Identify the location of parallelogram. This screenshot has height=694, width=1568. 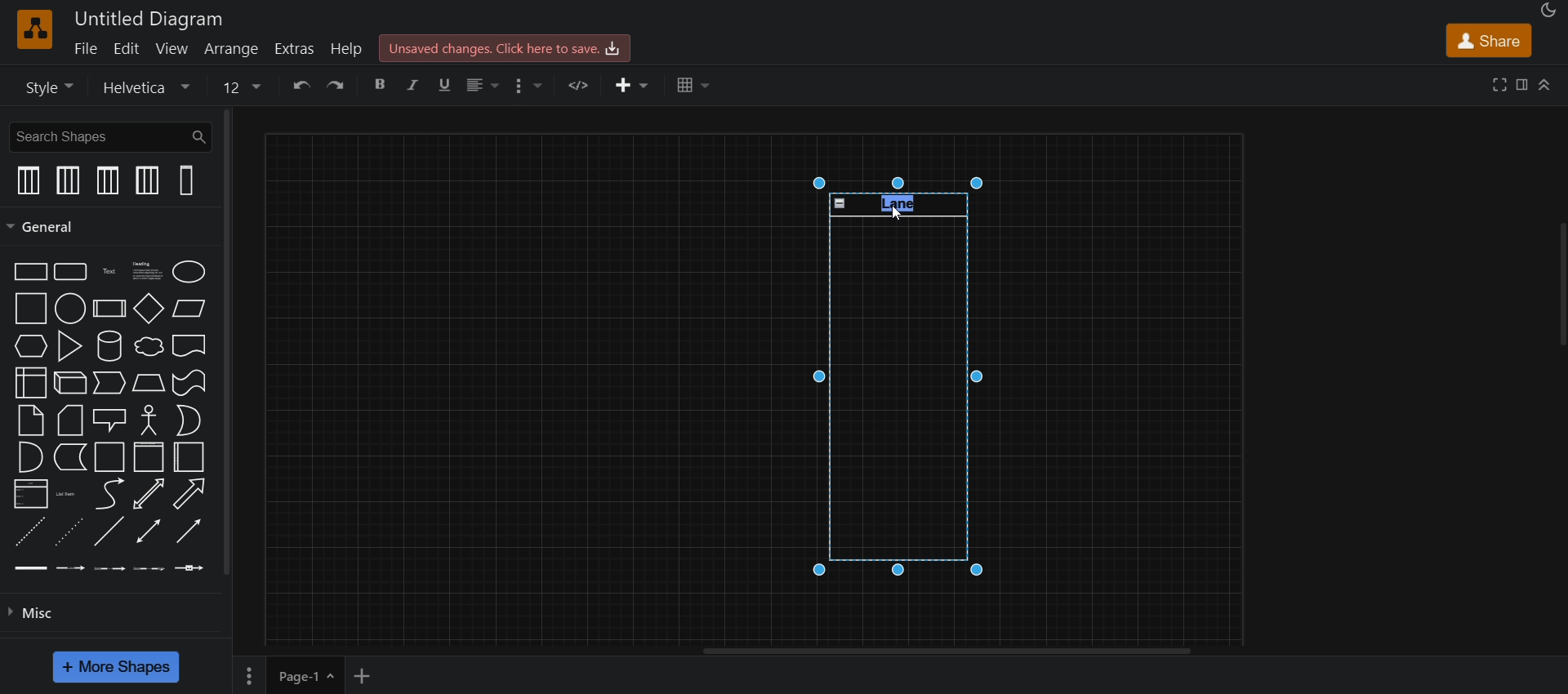
(188, 307).